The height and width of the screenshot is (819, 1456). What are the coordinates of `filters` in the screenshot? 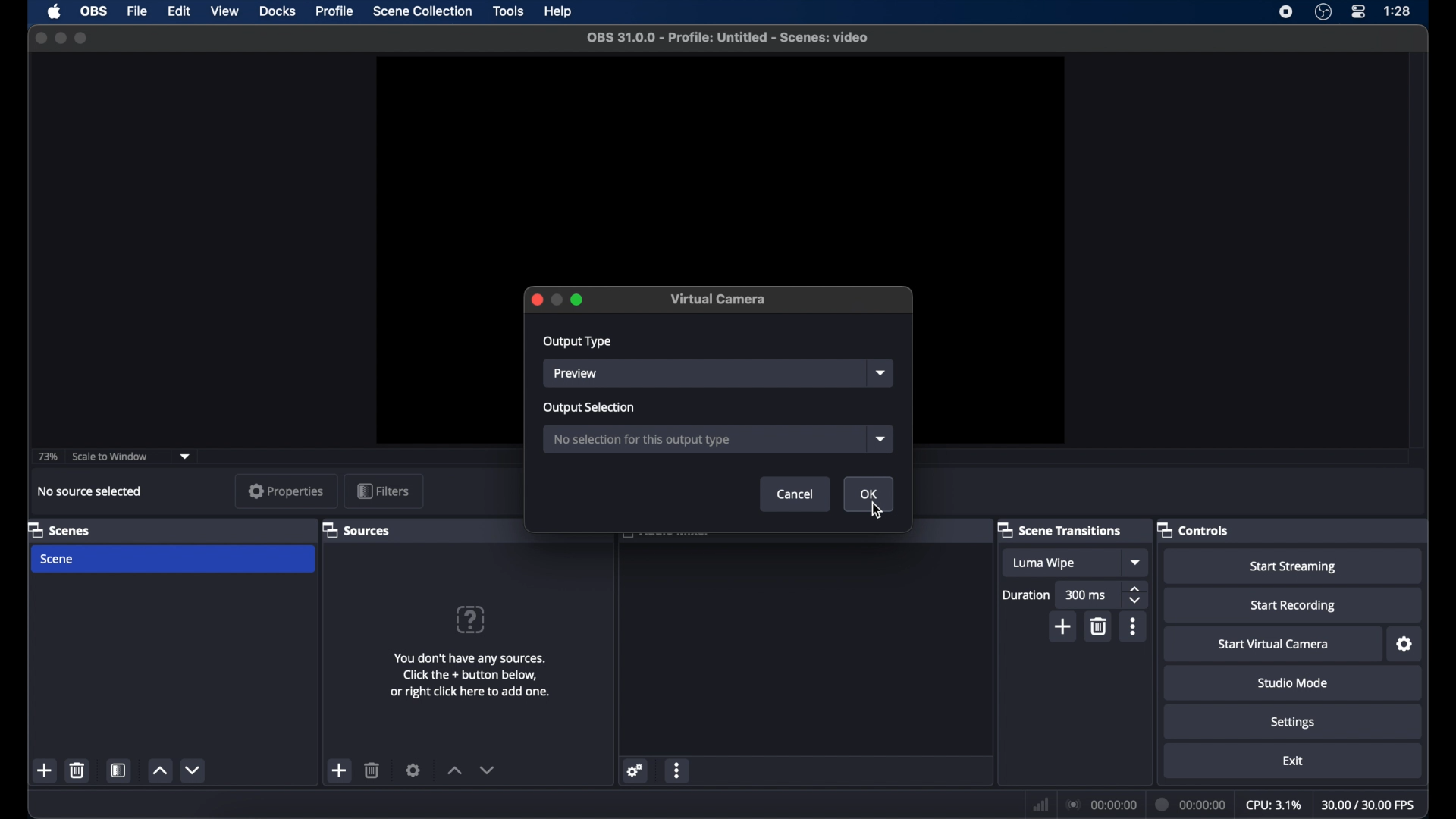 It's located at (383, 491).